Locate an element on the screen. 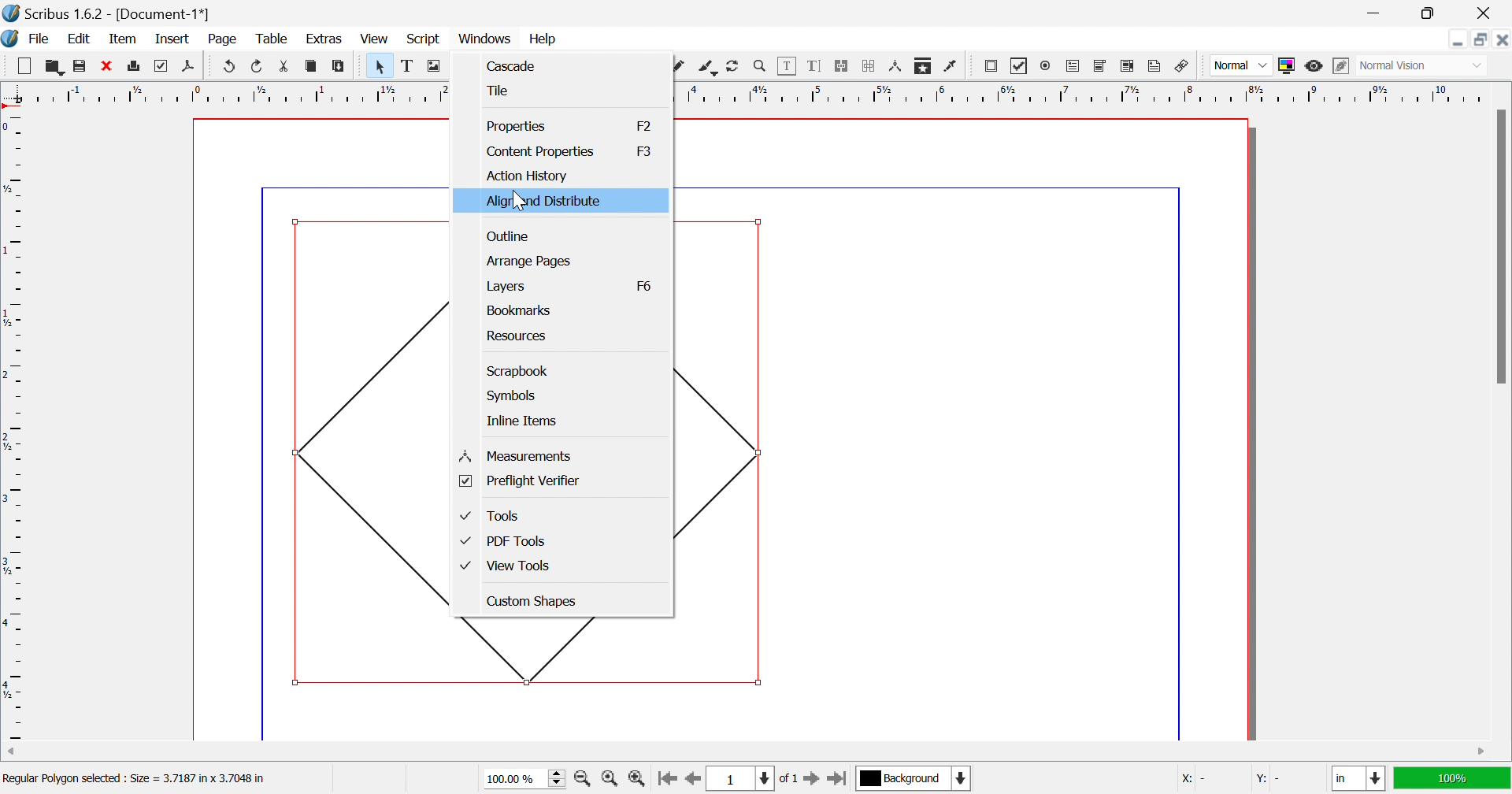 The height and width of the screenshot is (794, 1512). Go to the first page is located at coordinates (666, 783).